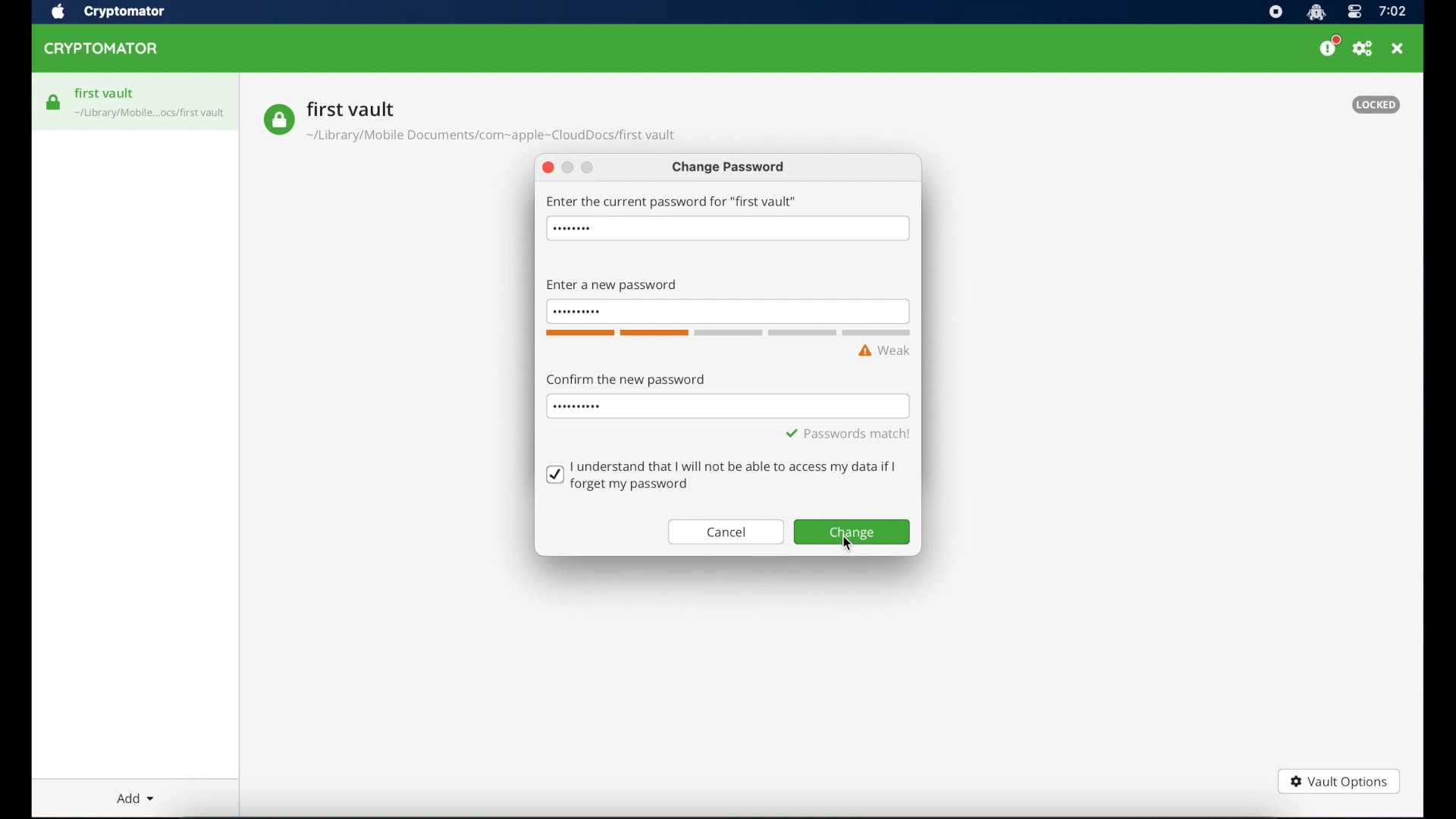 Image resolution: width=1456 pixels, height=819 pixels. What do you see at coordinates (1329, 46) in the screenshot?
I see `please consider donating` at bounding box center [1329, 46].